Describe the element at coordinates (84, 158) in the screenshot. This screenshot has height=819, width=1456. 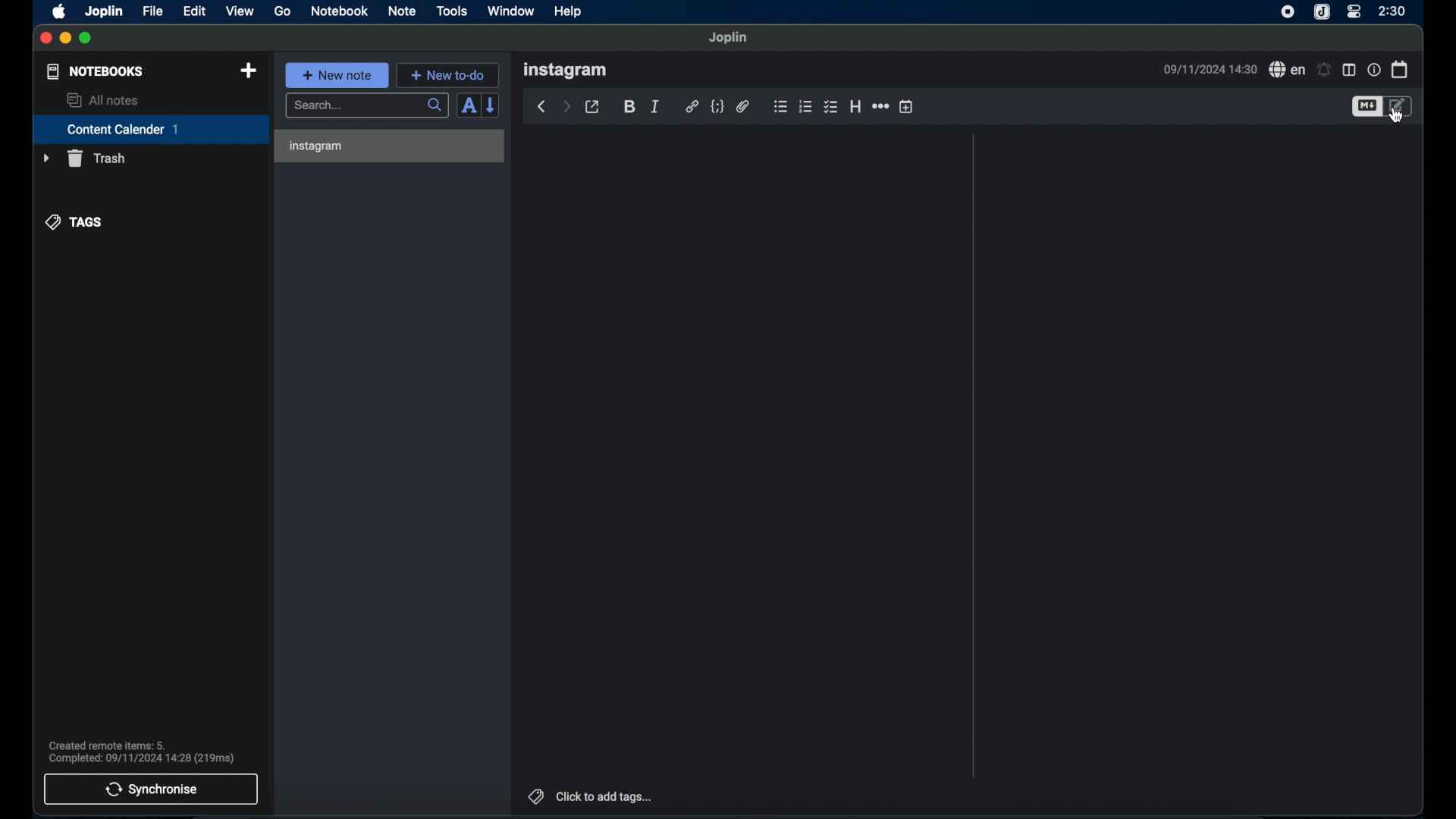
I see `trash` at that location.